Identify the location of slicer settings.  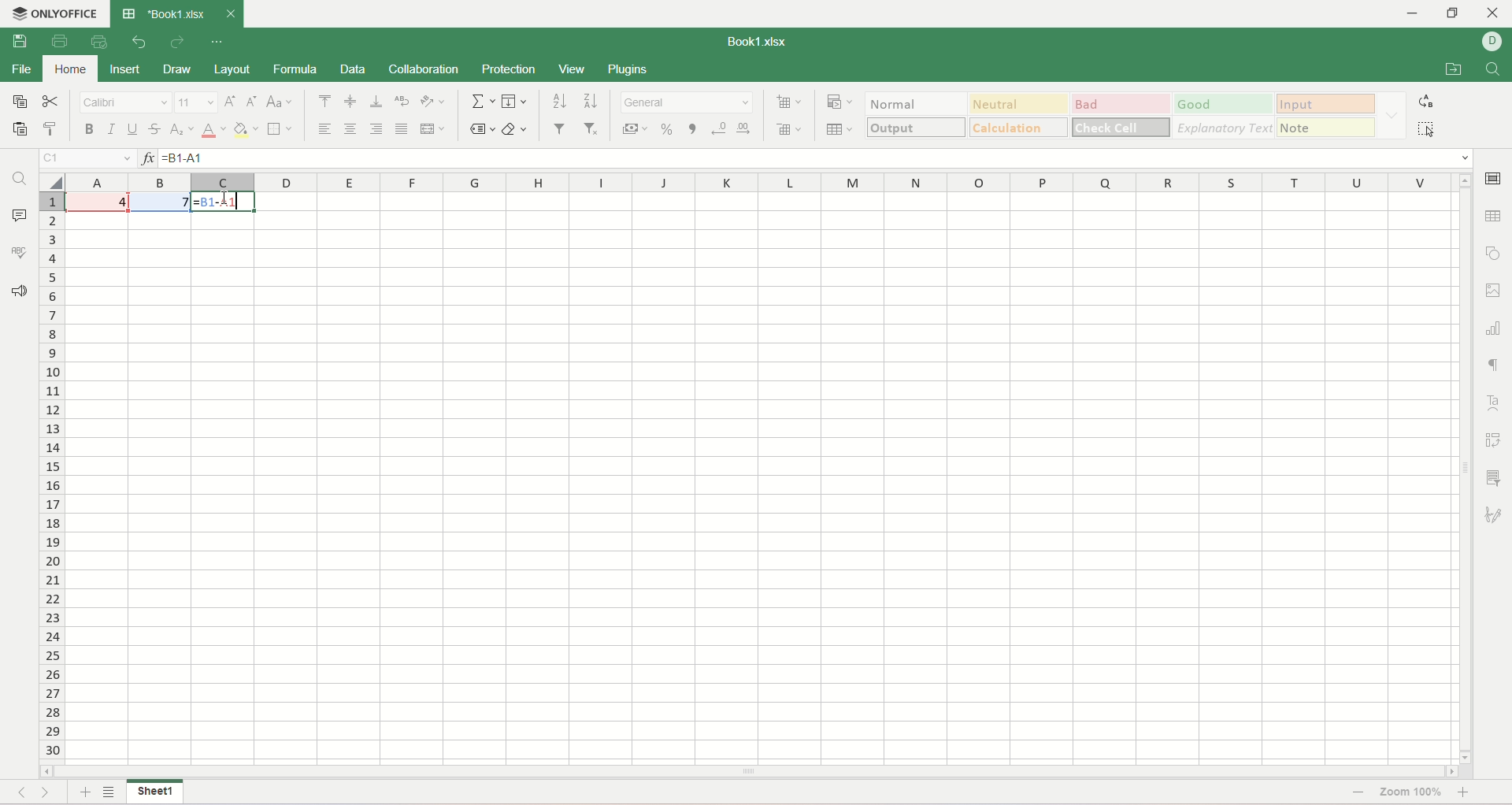
(1496, 477).